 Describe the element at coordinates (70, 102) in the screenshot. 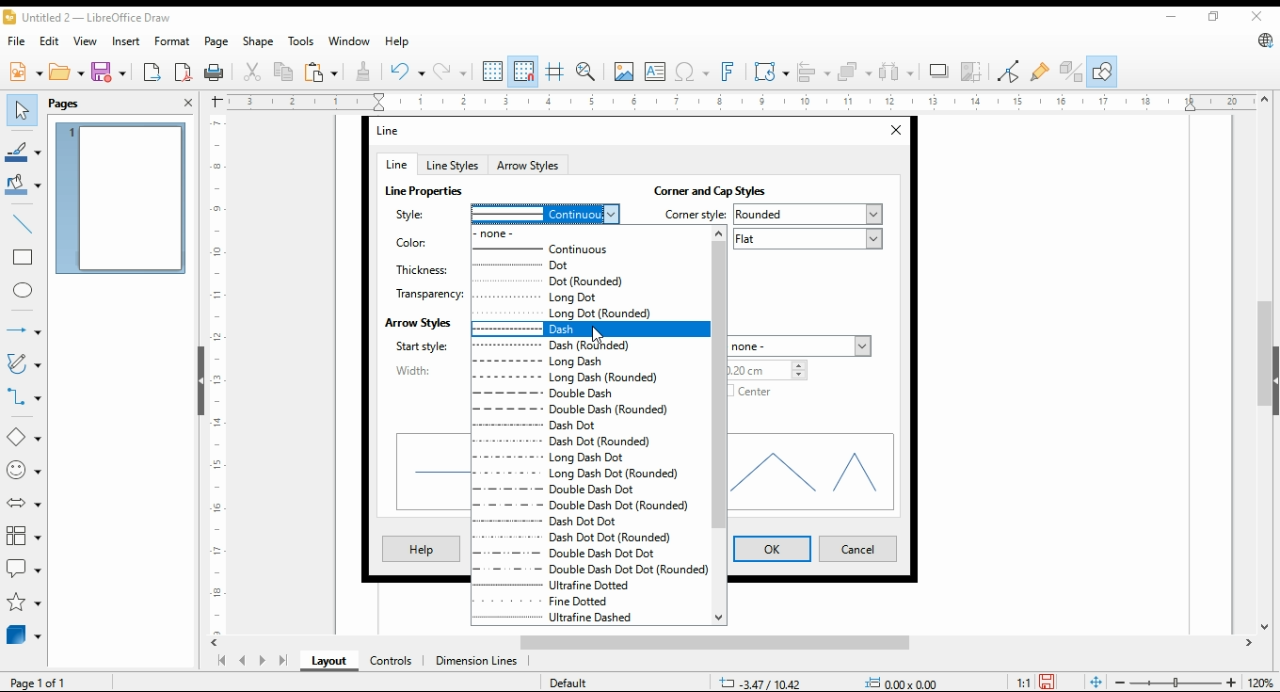

I see `pages` at that location.